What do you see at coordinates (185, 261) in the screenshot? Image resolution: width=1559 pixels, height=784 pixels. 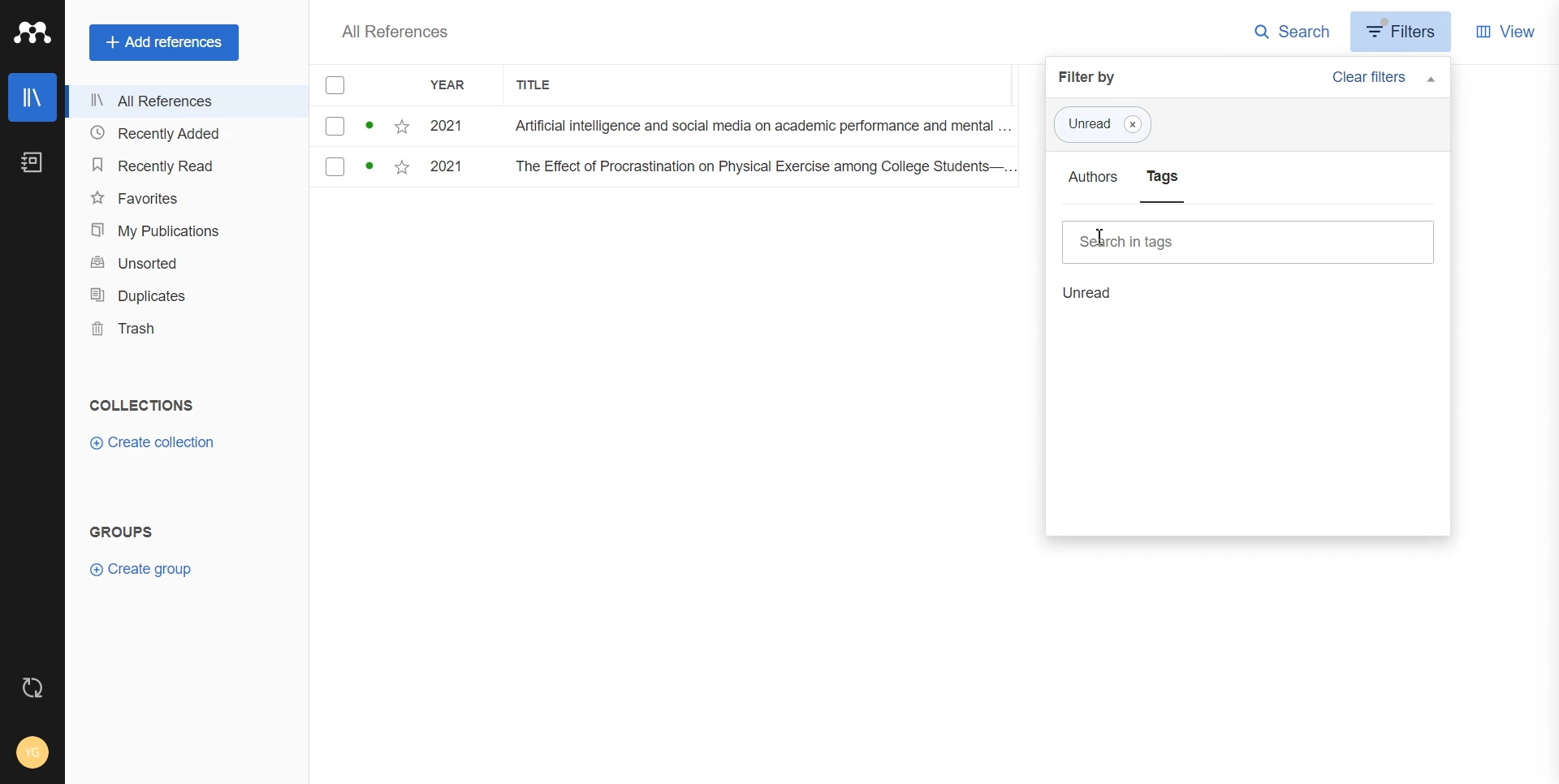 I see `Unsorted` at bounding box center [185, 261].